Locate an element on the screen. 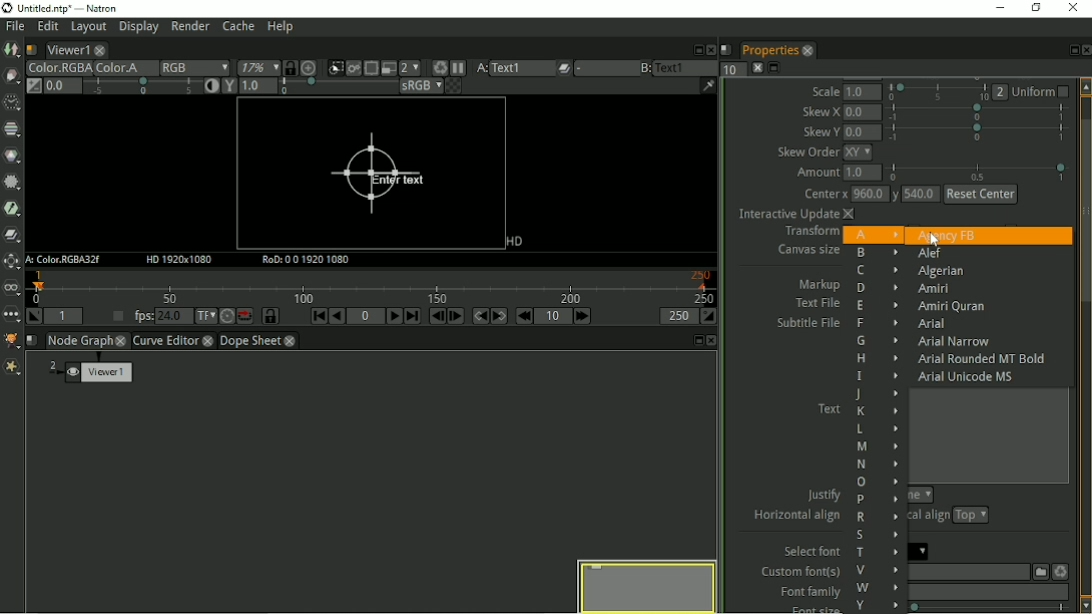  Font size is located at coordinates (806, 608).